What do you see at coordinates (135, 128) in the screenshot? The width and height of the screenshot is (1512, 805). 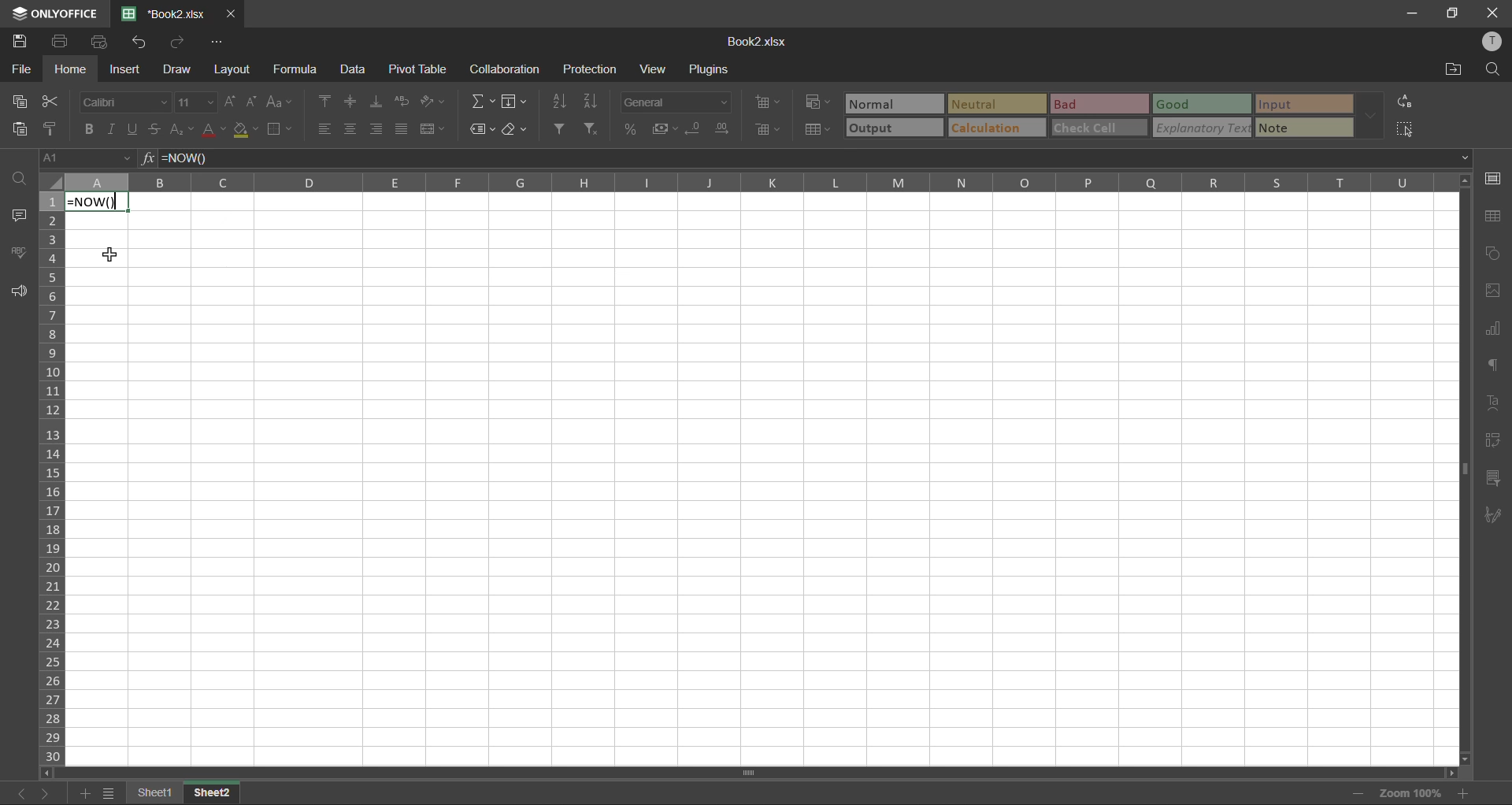 I see `underline` at bounding box center [135, 128].